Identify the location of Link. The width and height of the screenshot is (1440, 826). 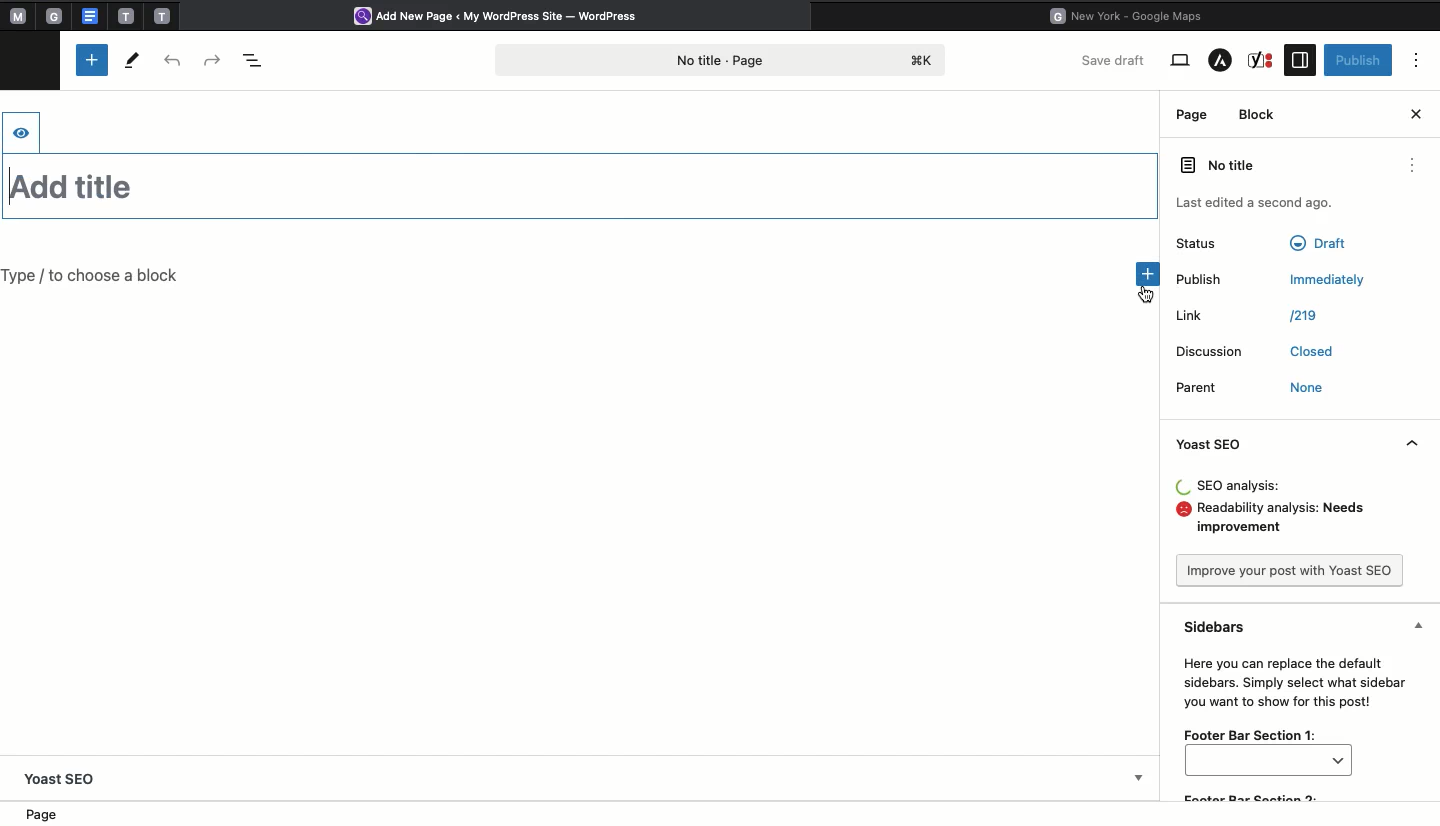
(1246, 316).